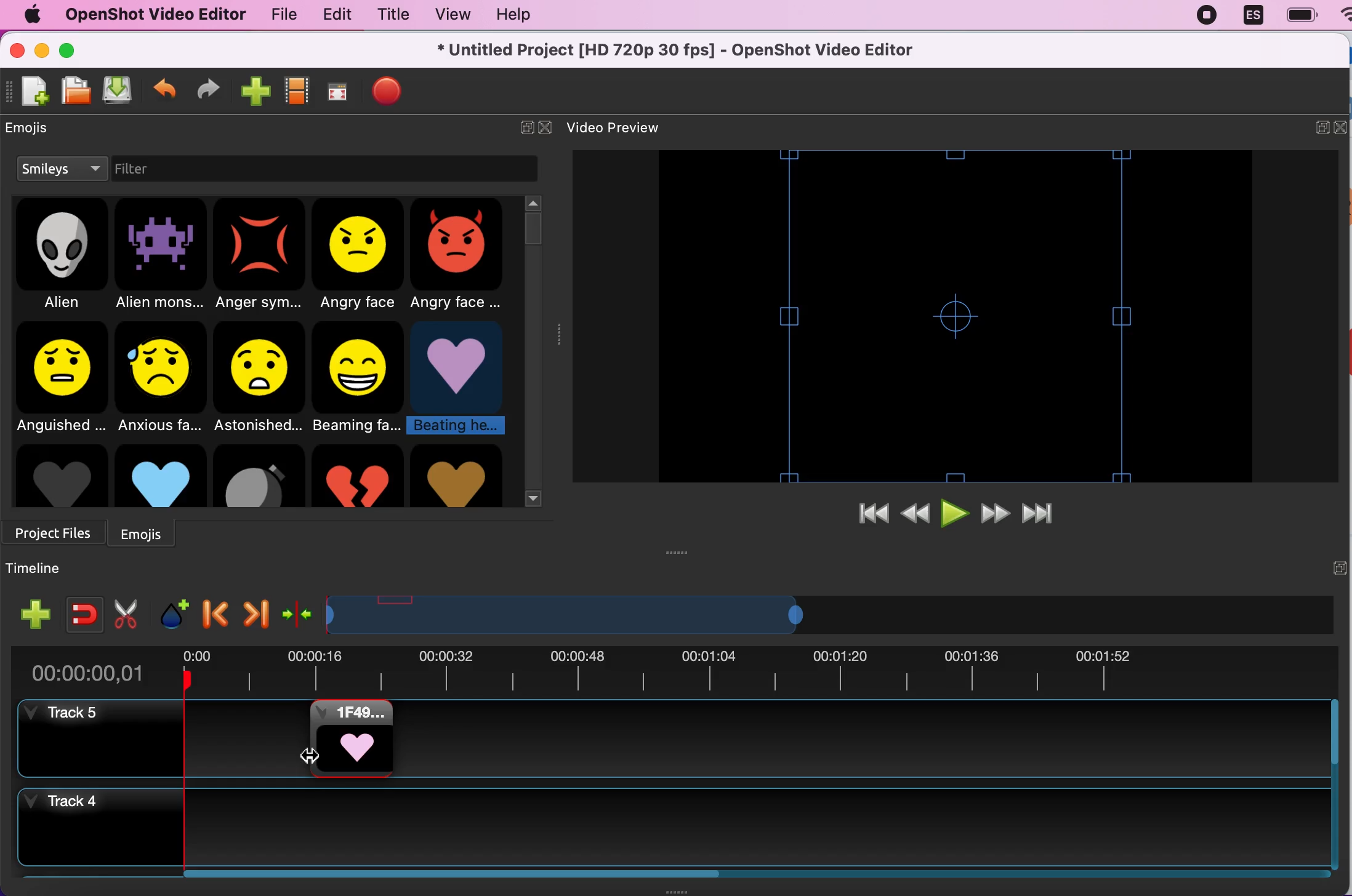 The height and width of the screenshot is (896, 1352). What do you see at coordinates (172, 610) in the screenshot?
I see `add marker` at bounding box center [172, 610].